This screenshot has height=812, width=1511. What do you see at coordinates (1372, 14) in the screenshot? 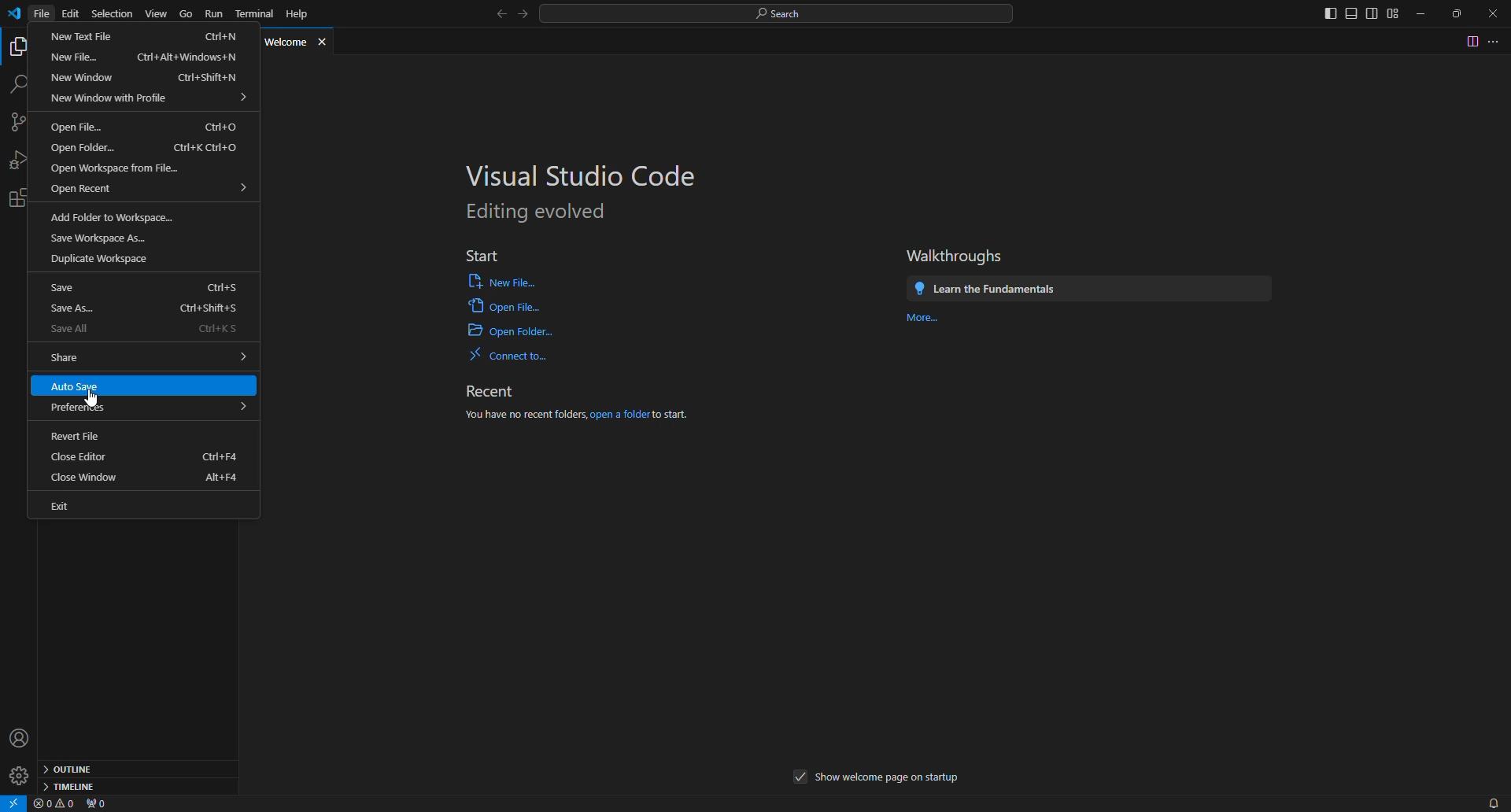
I see `toggle secondary sidebar` at bounding box center [1372, 14].